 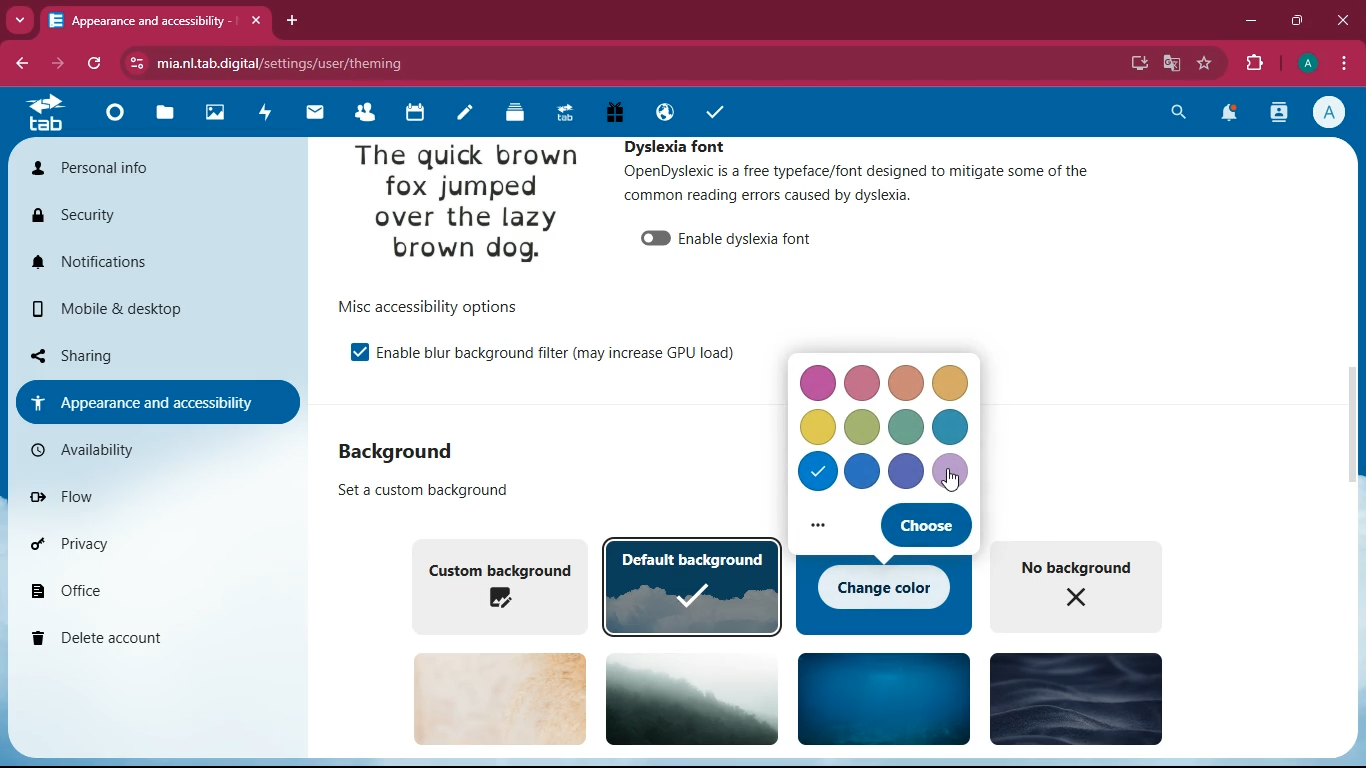 What do you see at coordinates (48, 116) in the screenshot?
I see `tab` at bounding box center [48, 116].